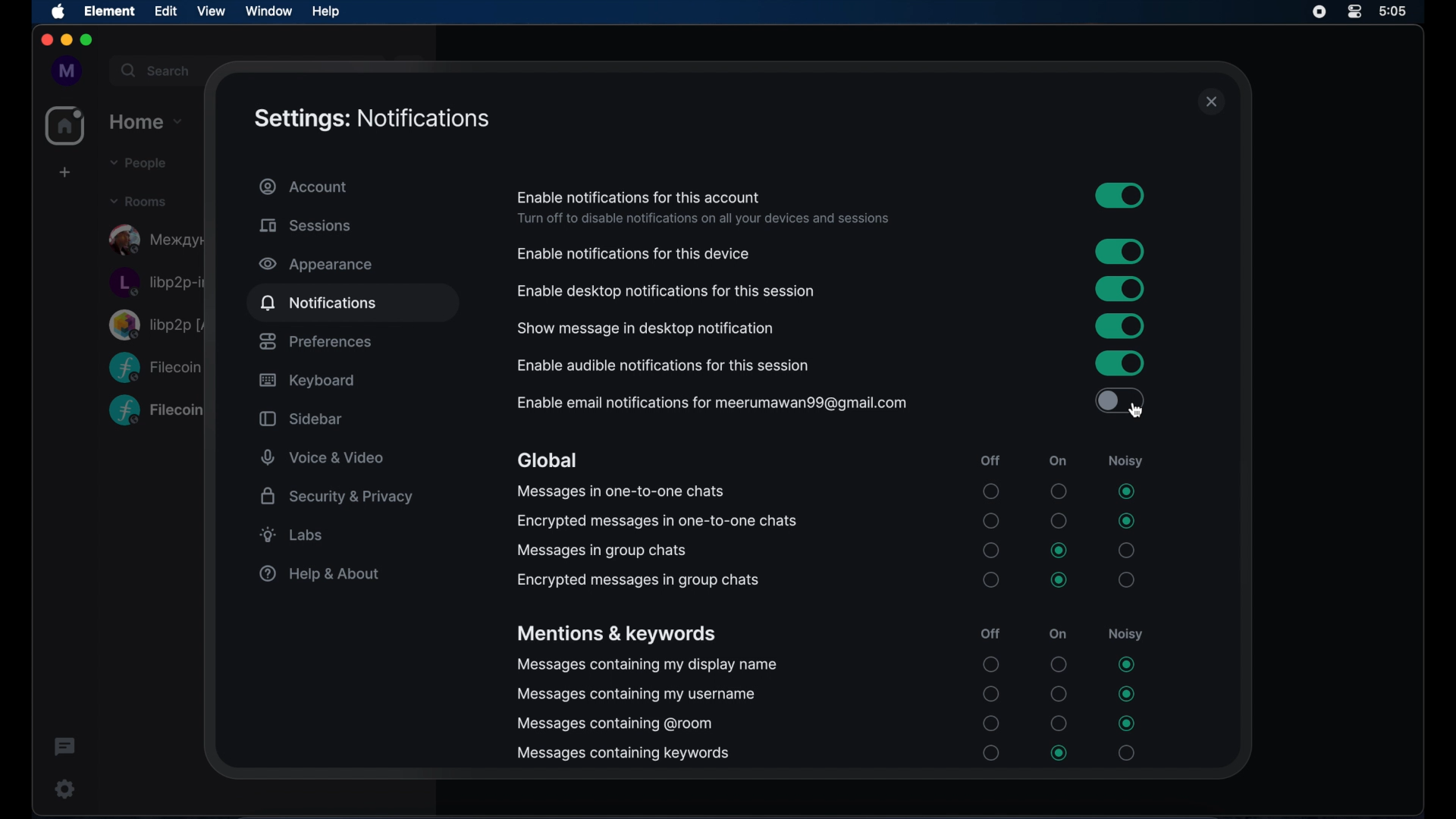 Image resolution: width=1456 pixels, height=819 pixels. What do you see at coordinates (991, 521) in the screenshot?
I see `radio button` at bounding box center [991, 521].